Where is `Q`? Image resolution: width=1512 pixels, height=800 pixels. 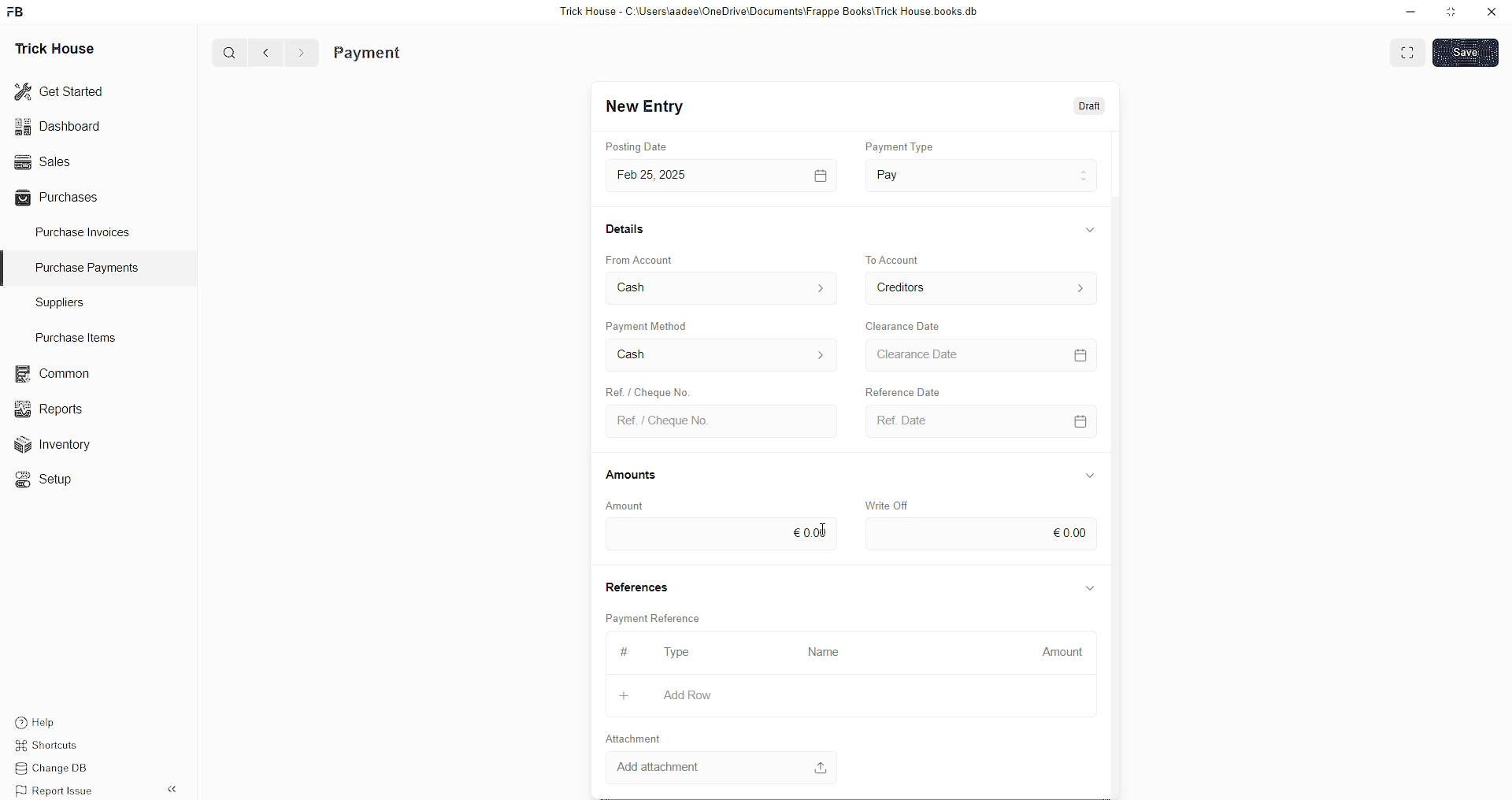 Q is located at coordinates (224, 51).